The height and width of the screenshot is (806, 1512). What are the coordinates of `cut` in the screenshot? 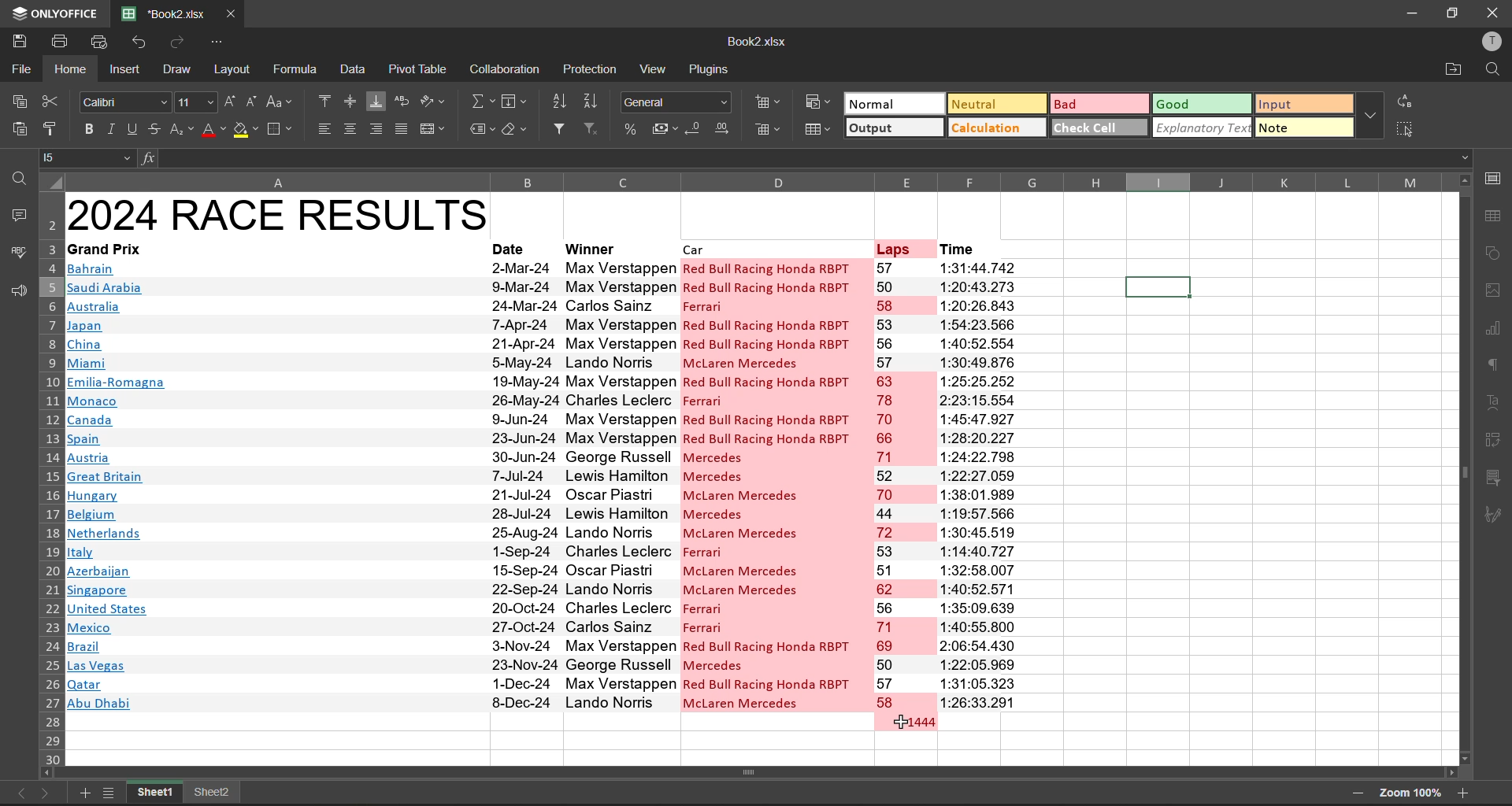 It's located at (52, 100).